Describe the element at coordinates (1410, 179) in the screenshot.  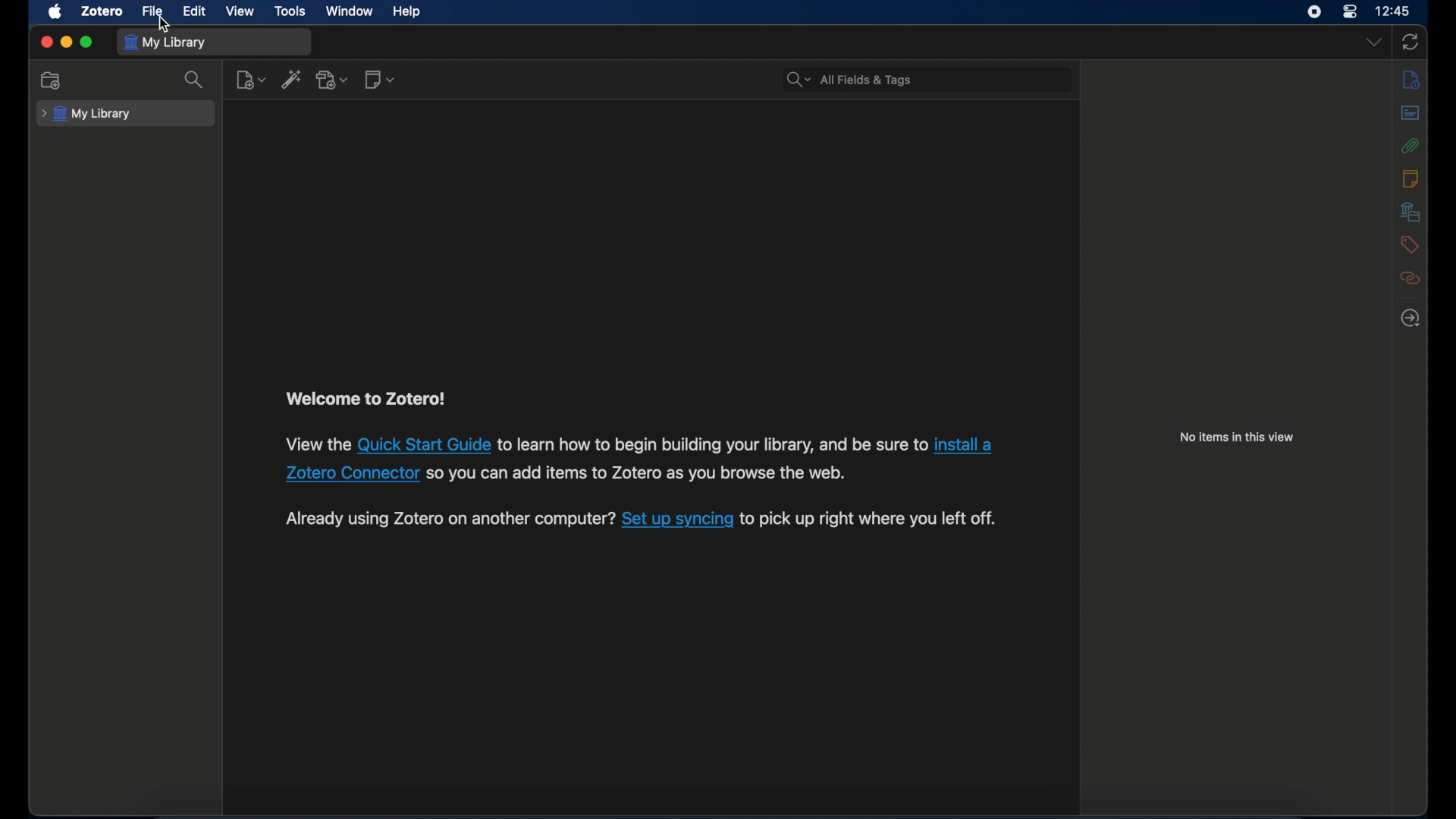
I see `notes` at that location.